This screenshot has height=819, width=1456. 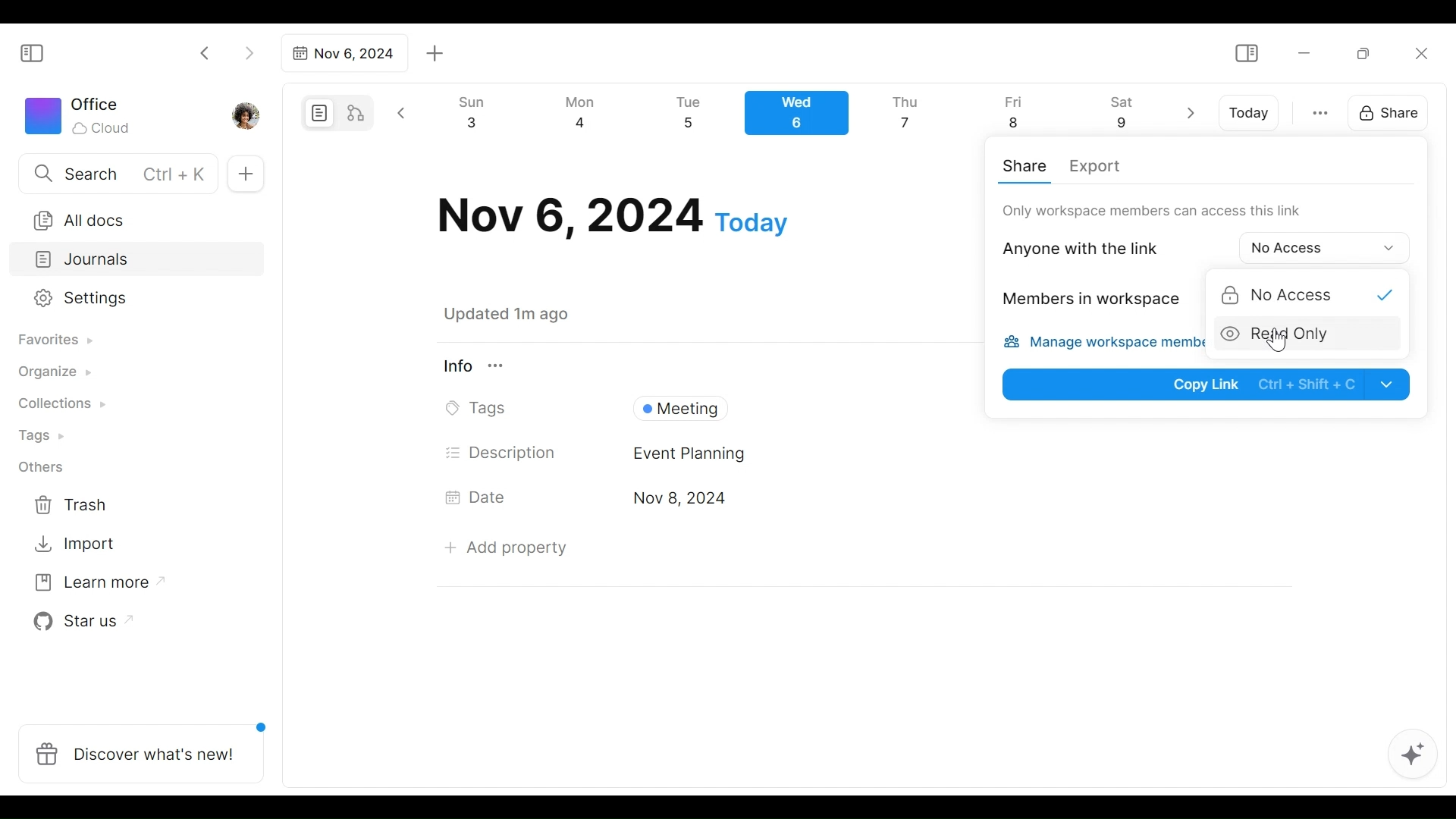 What do you see at coordinates (138, 261) in the screenshot?
I see `Journals` at bounding box center [138, 261].